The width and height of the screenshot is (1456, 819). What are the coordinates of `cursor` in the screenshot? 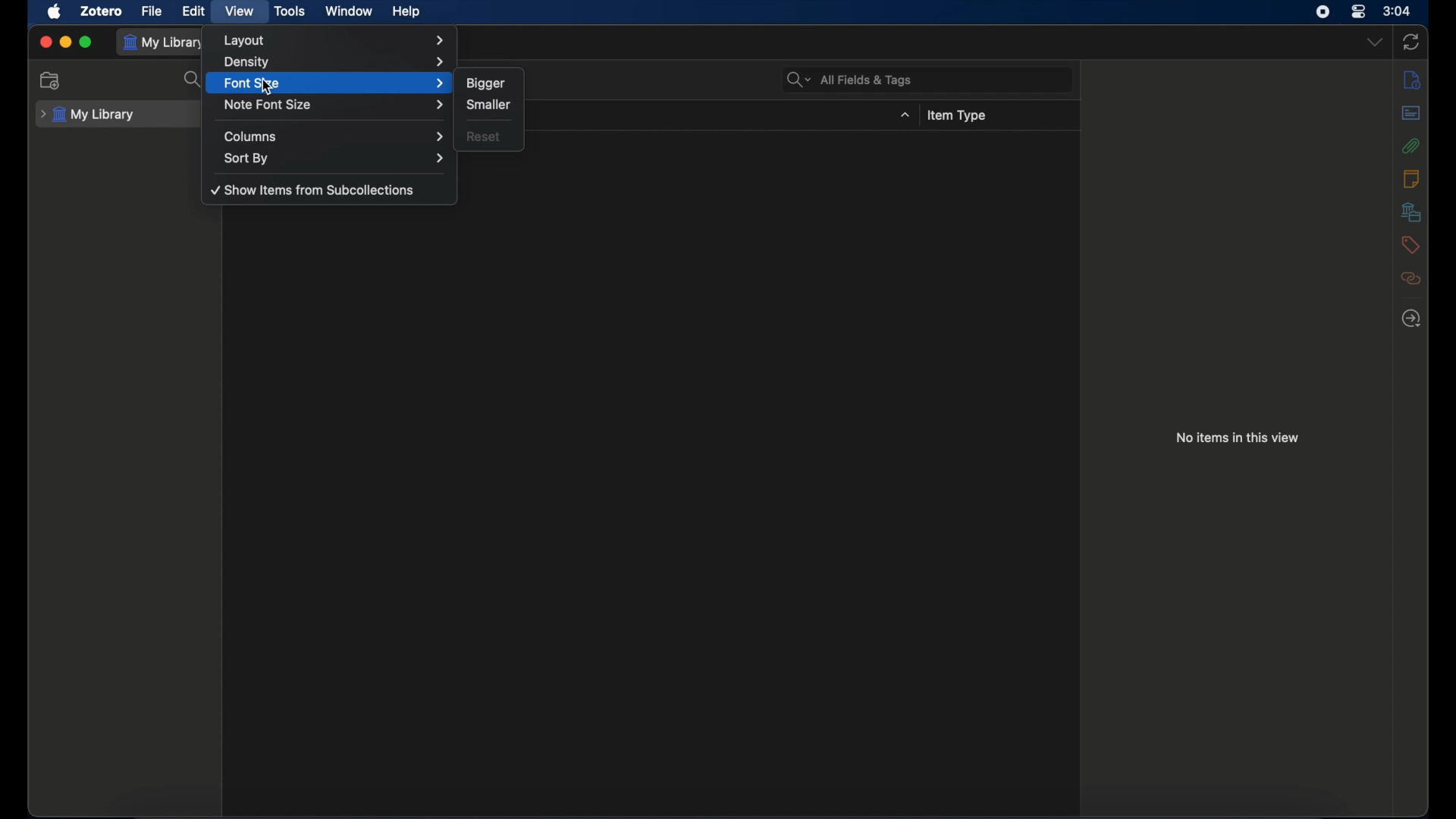 It's located at (265, 87).